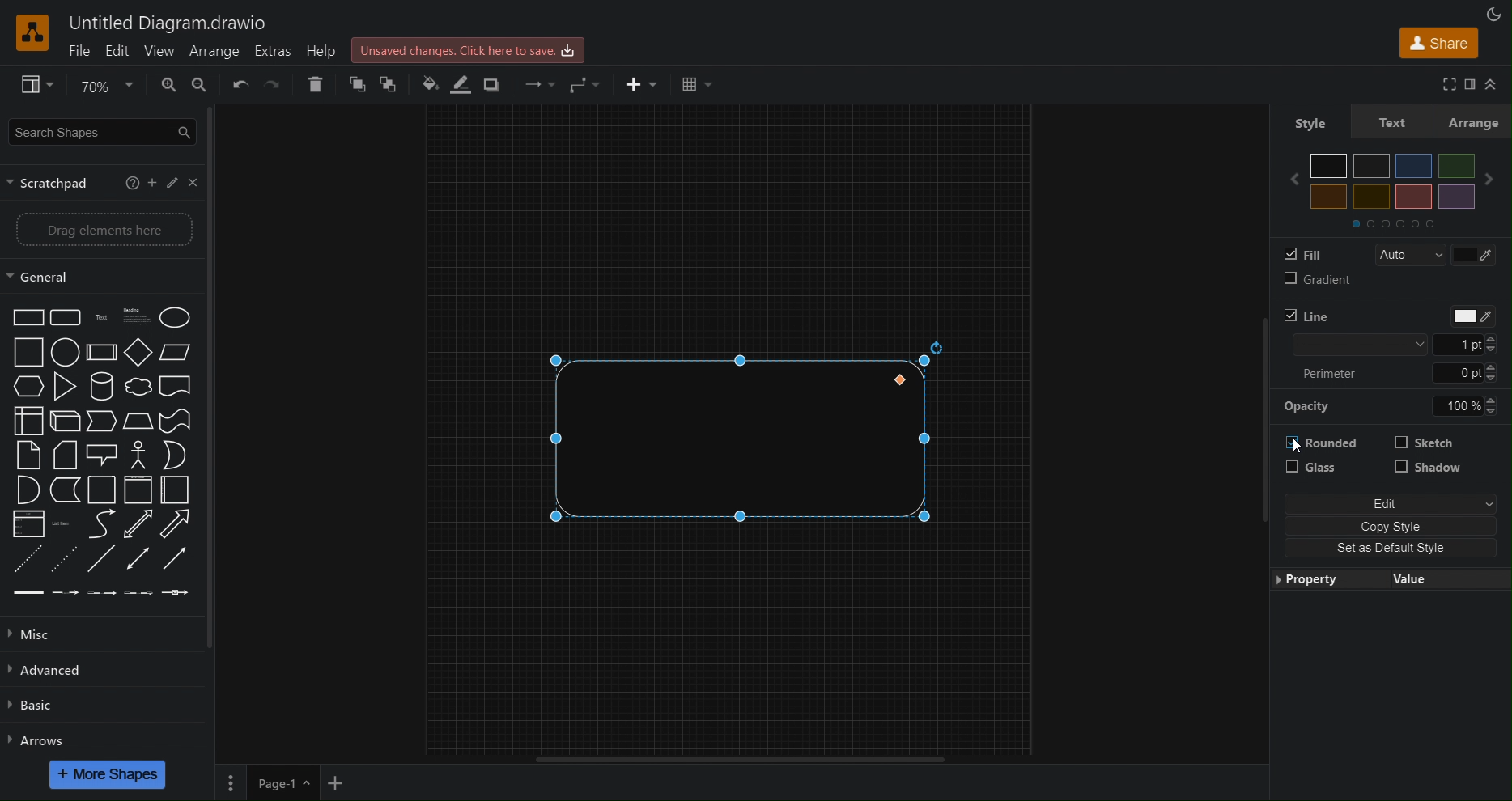 This screenshot has width=1512, height=801. Describe the element at coordinates (1297, 447) in the screenshot. I see `Cursor` at that location.